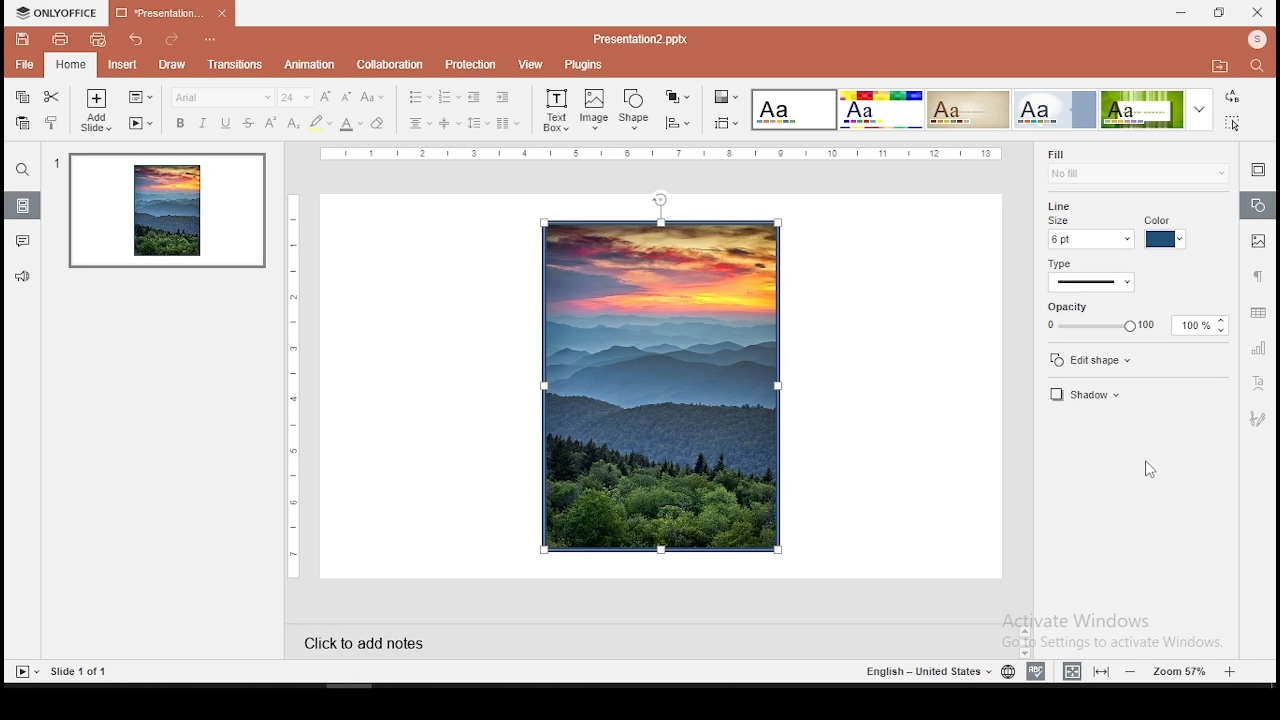 Image resolution: width=1280 pixels, height=720 pixels. I want to click on slide 1 of 1, so click(86, 671).